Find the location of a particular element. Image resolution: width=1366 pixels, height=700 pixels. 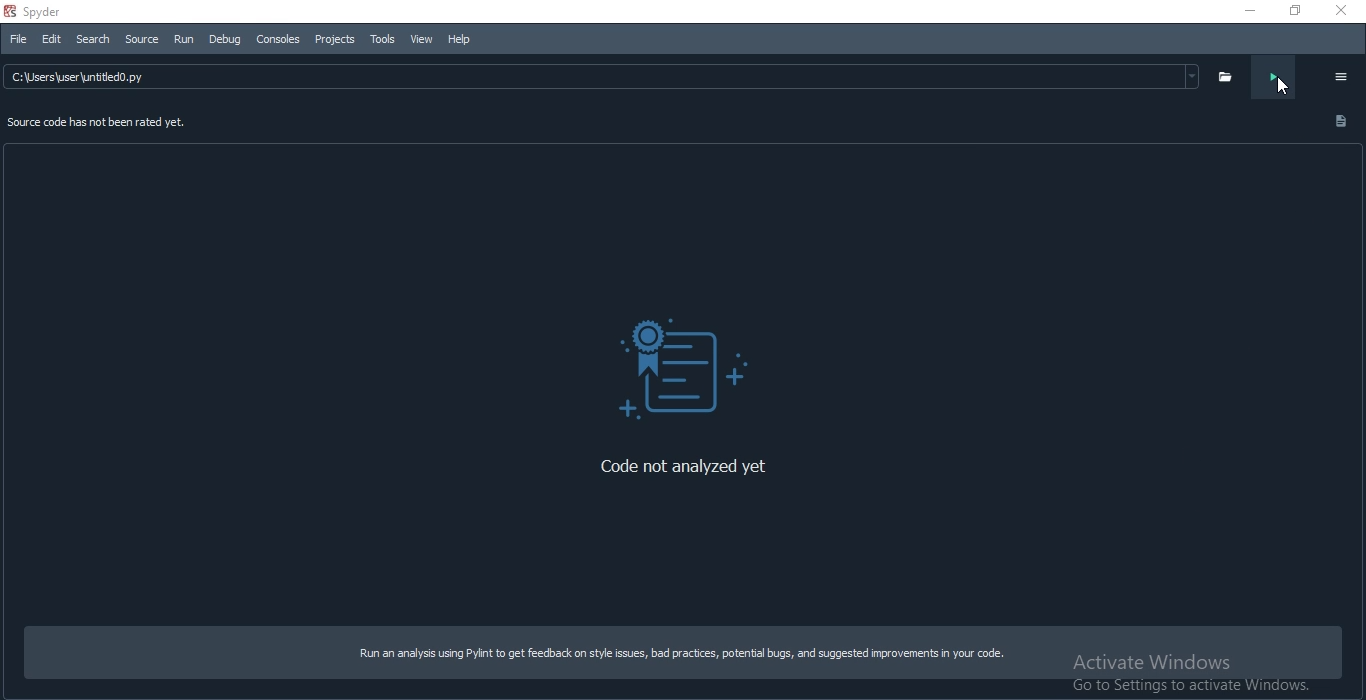

tools is located at coordinates (380, 38).